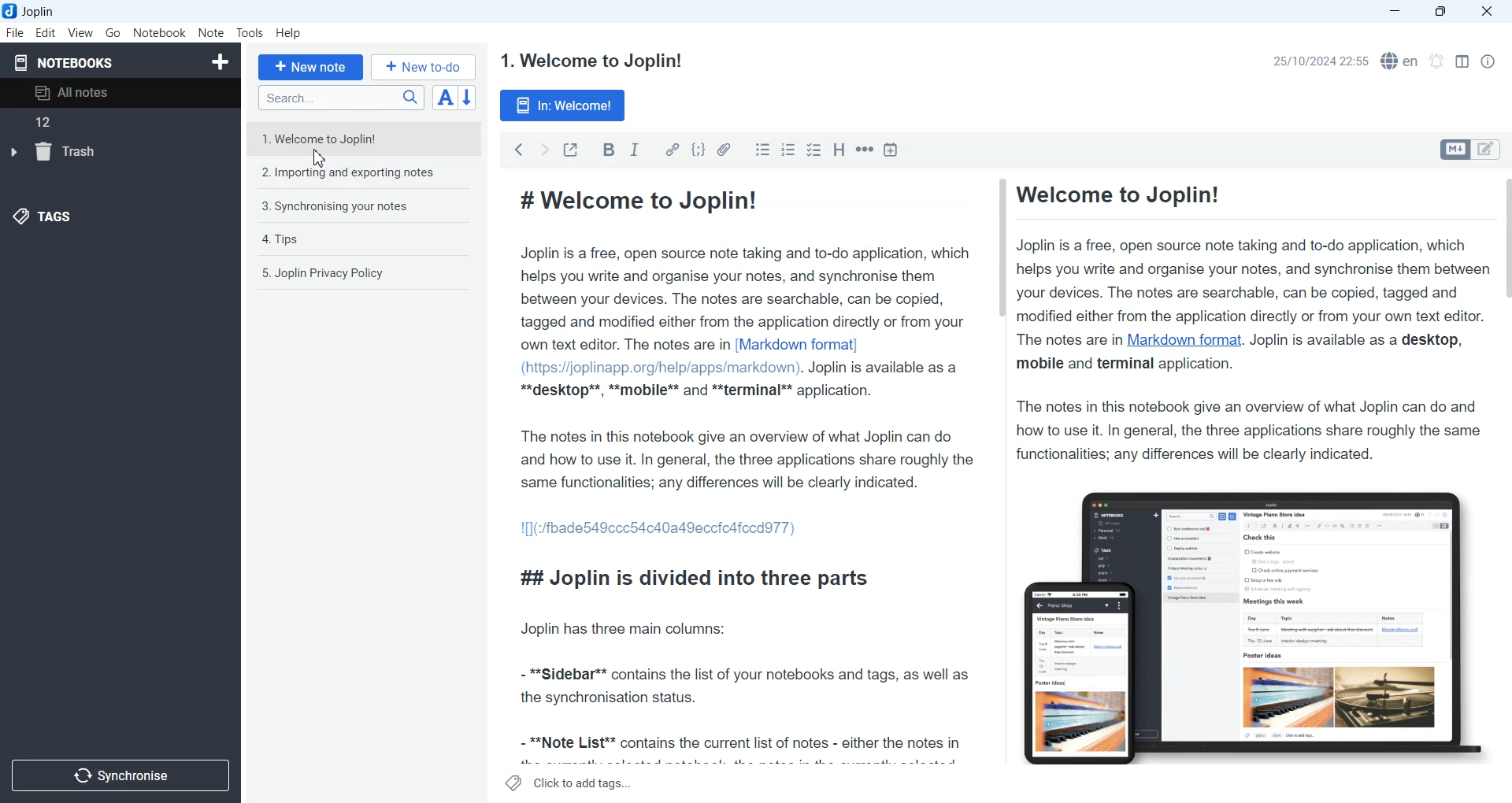 This screenshot has height=803, width=1512. What do you see at coordinates (469, 98) in the screenshot?
I see `Reverse sort order` at bounding box center [469, 98].